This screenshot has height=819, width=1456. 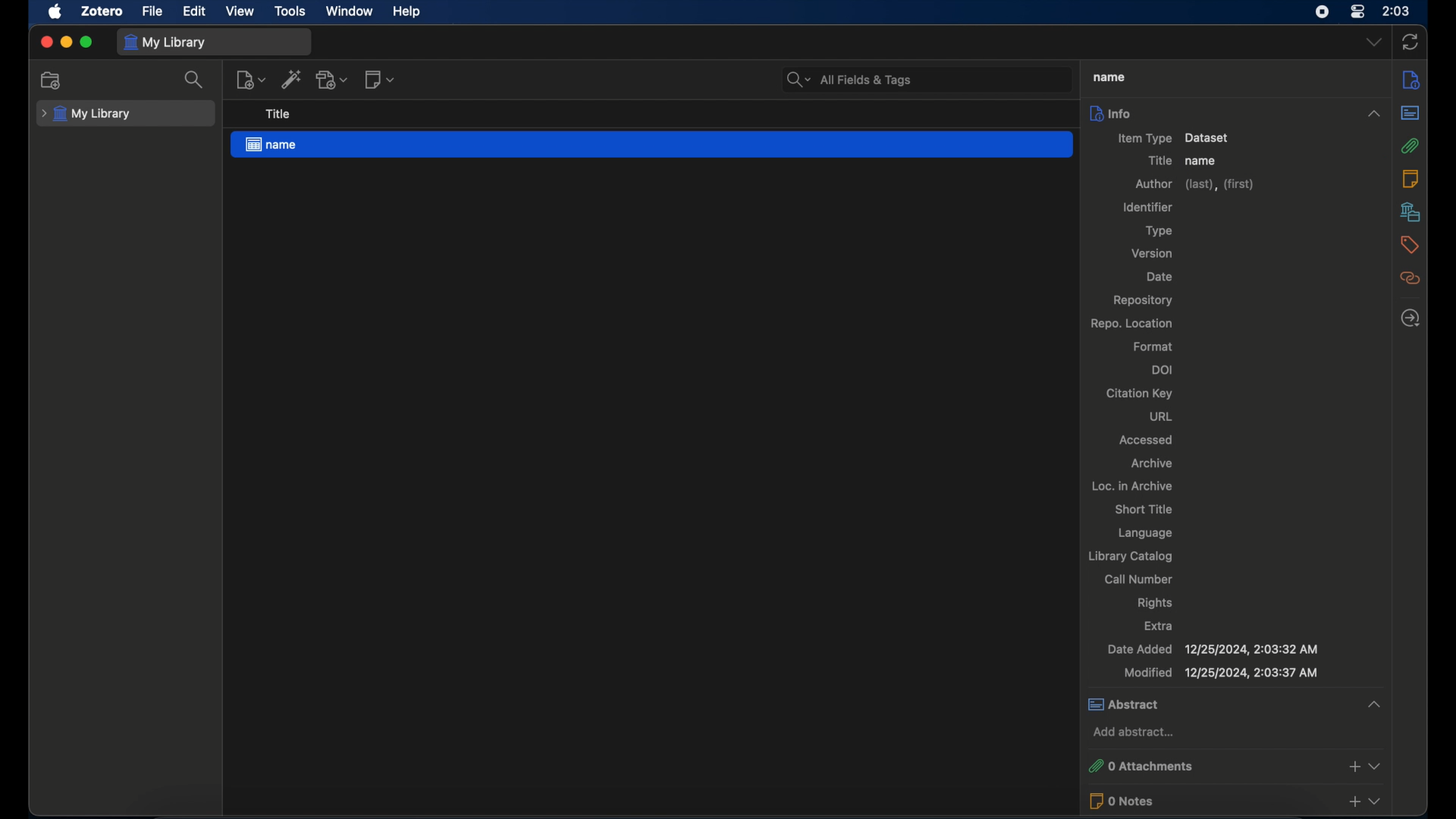 What do you see at coordinates (1129, 556) in the screenshot?
I see `library catalog` at bounding box center [1129, 556].